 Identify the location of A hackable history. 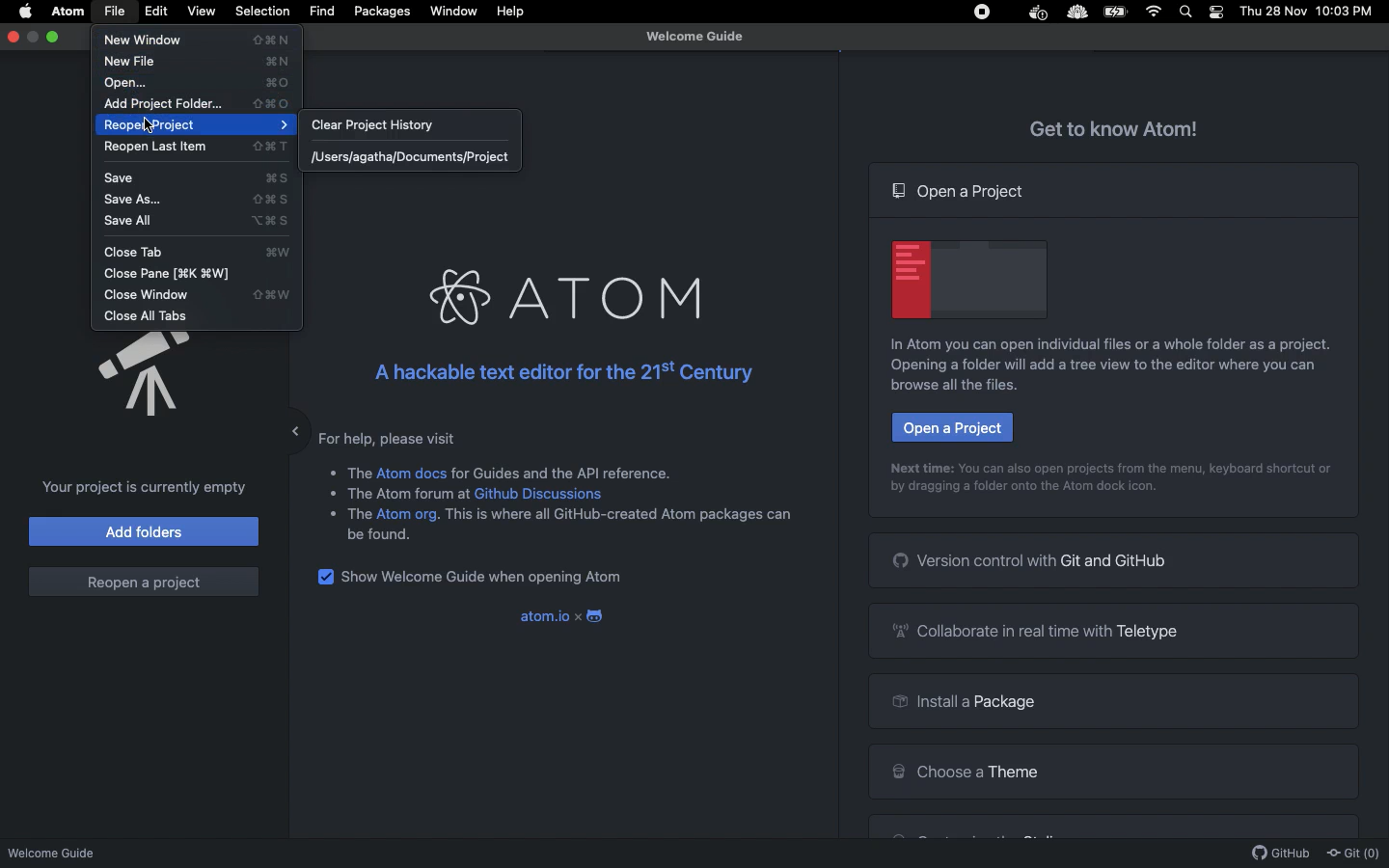
(558, 372).